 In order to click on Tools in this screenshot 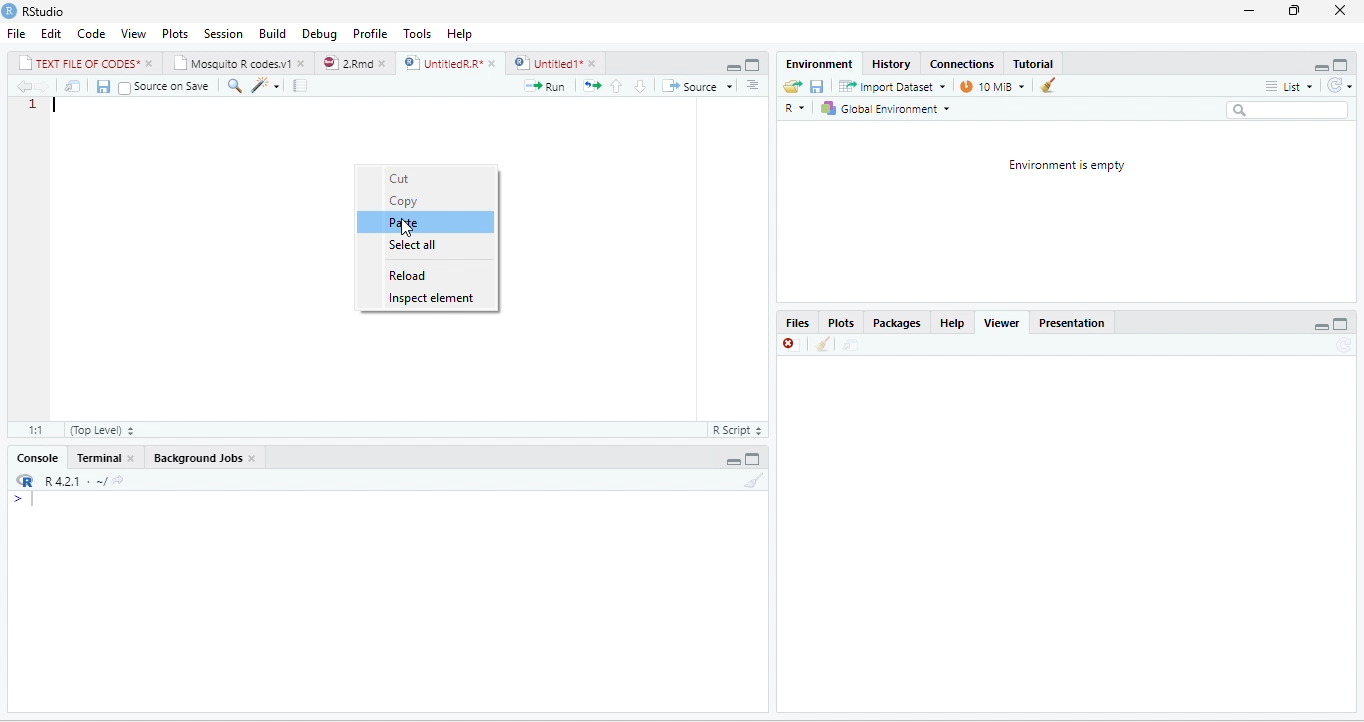, I will do `click(418, 32)`.